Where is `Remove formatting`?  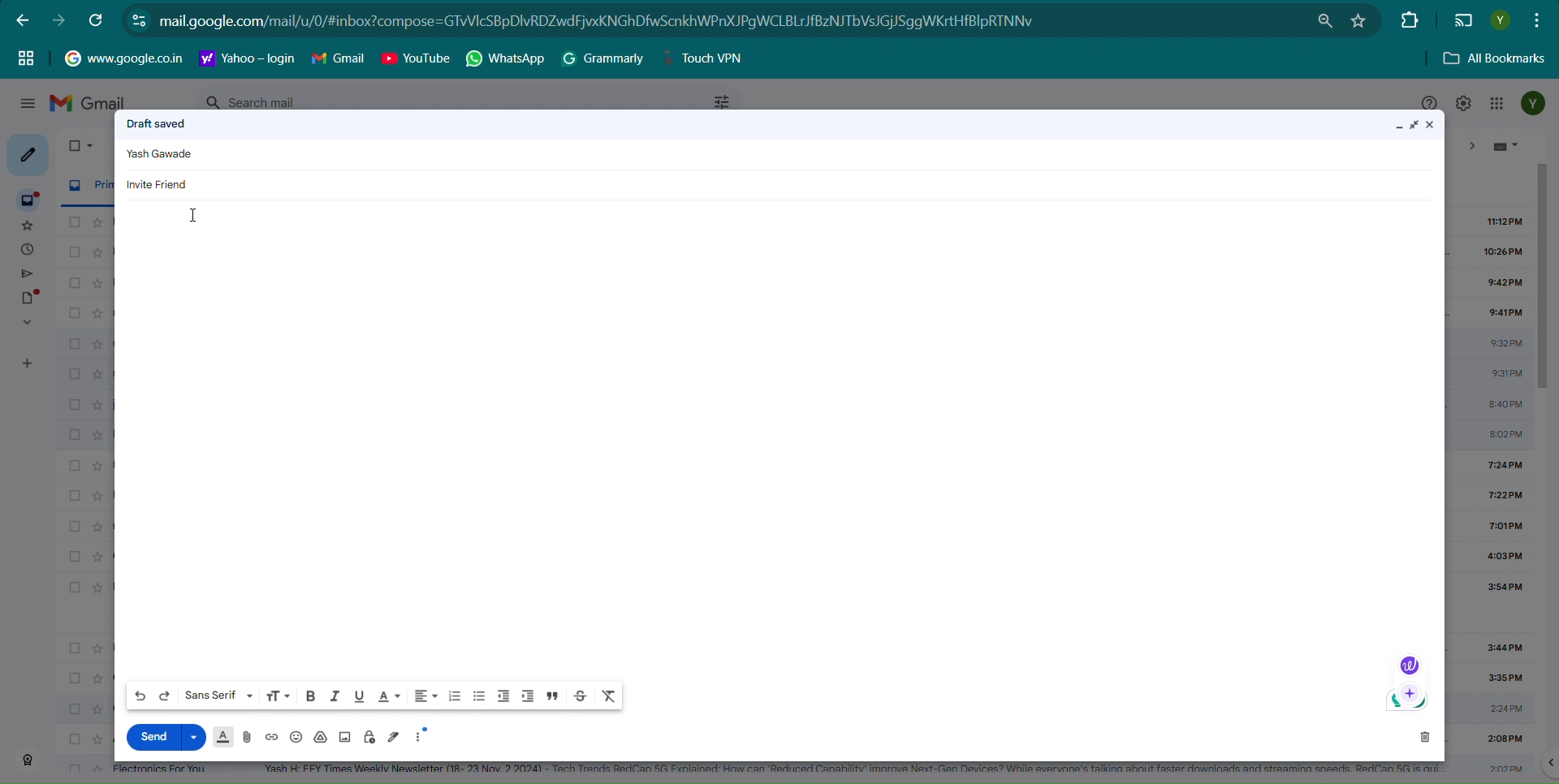
Remove formatting is located at coordinates (610, 696).